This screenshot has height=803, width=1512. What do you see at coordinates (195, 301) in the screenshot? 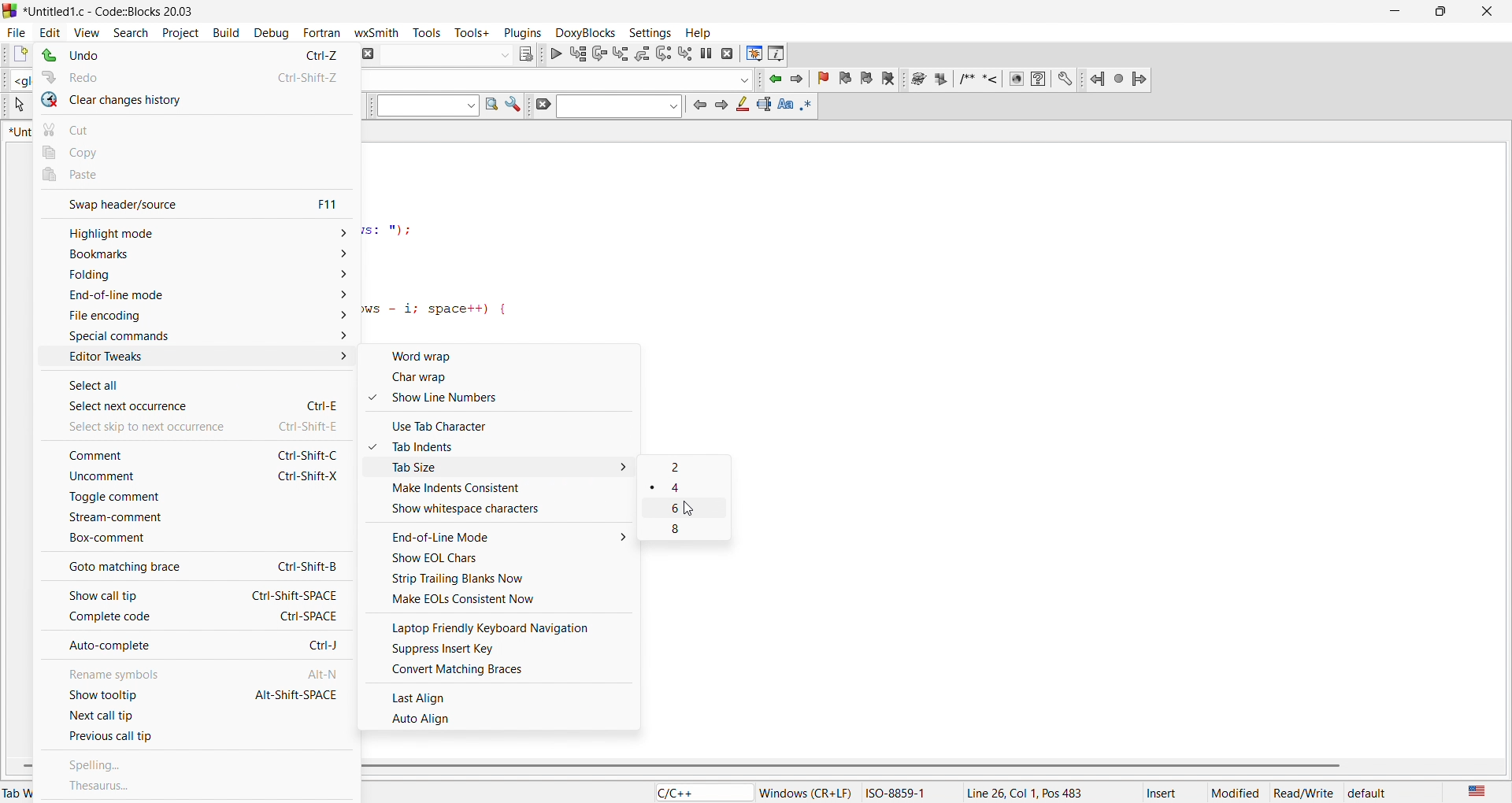
I see `end of line mode` at bounding box center [195, 301].